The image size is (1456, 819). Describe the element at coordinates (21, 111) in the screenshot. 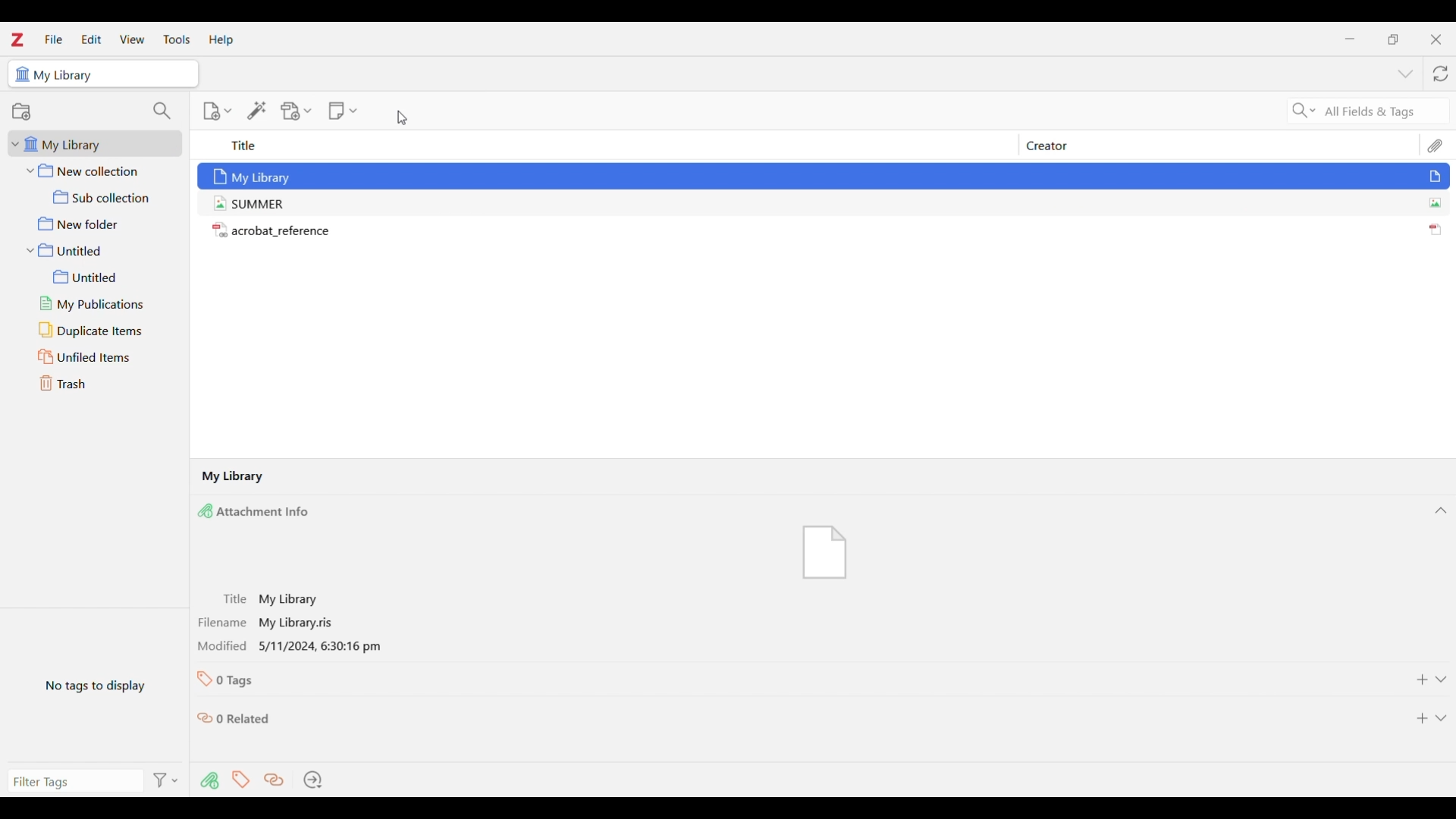

I see `Add new collection` at that location.